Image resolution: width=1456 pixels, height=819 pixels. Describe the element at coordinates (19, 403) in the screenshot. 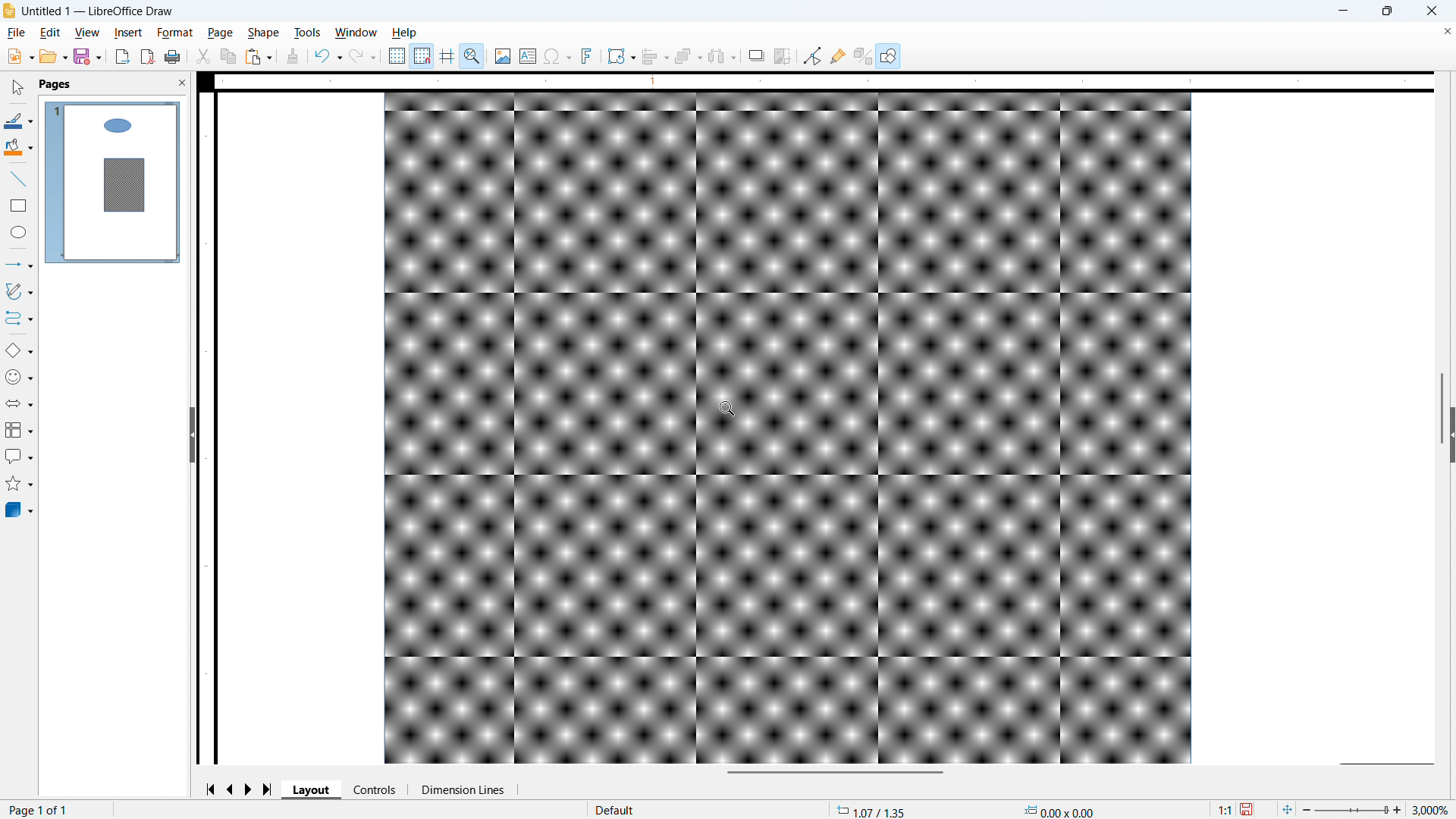

I see `Block arrows ` at that location.